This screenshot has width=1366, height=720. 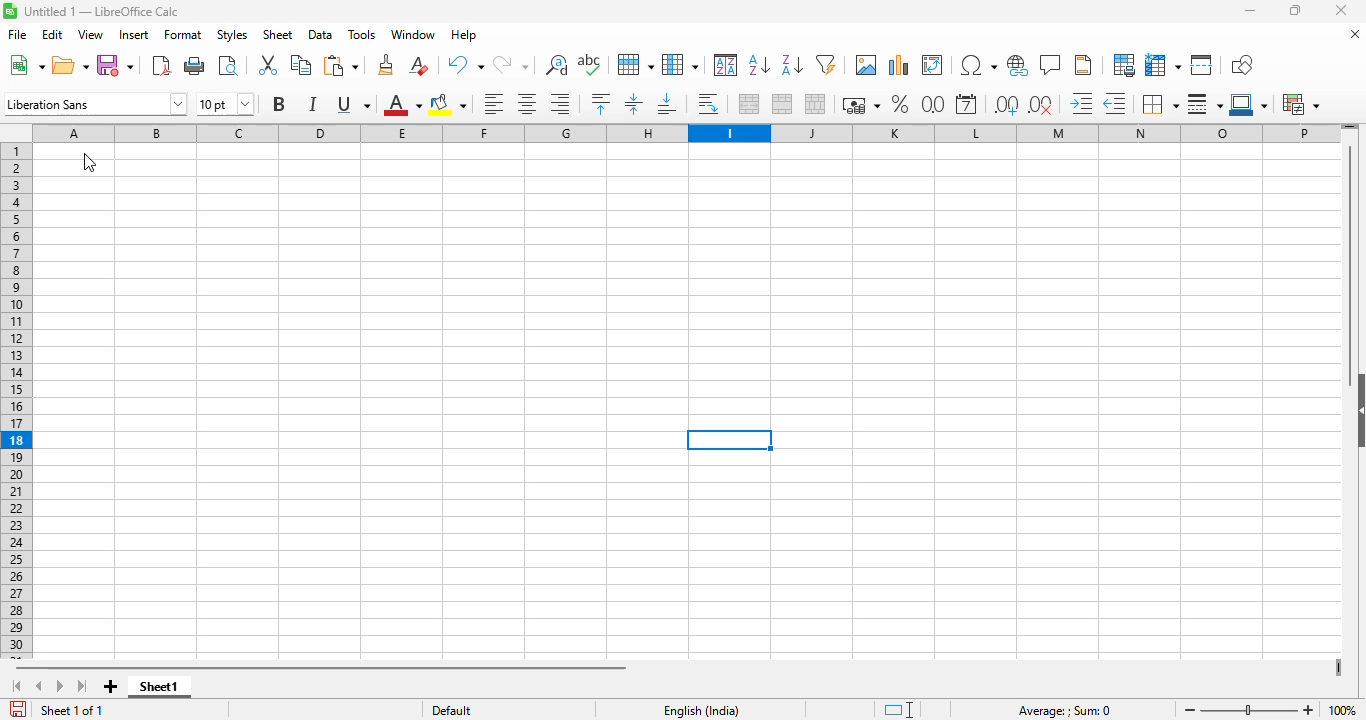 What do you see at coordinates (826, 64) in the screenshot?
I see `AutoFilter` at bounding box center [826, 64].